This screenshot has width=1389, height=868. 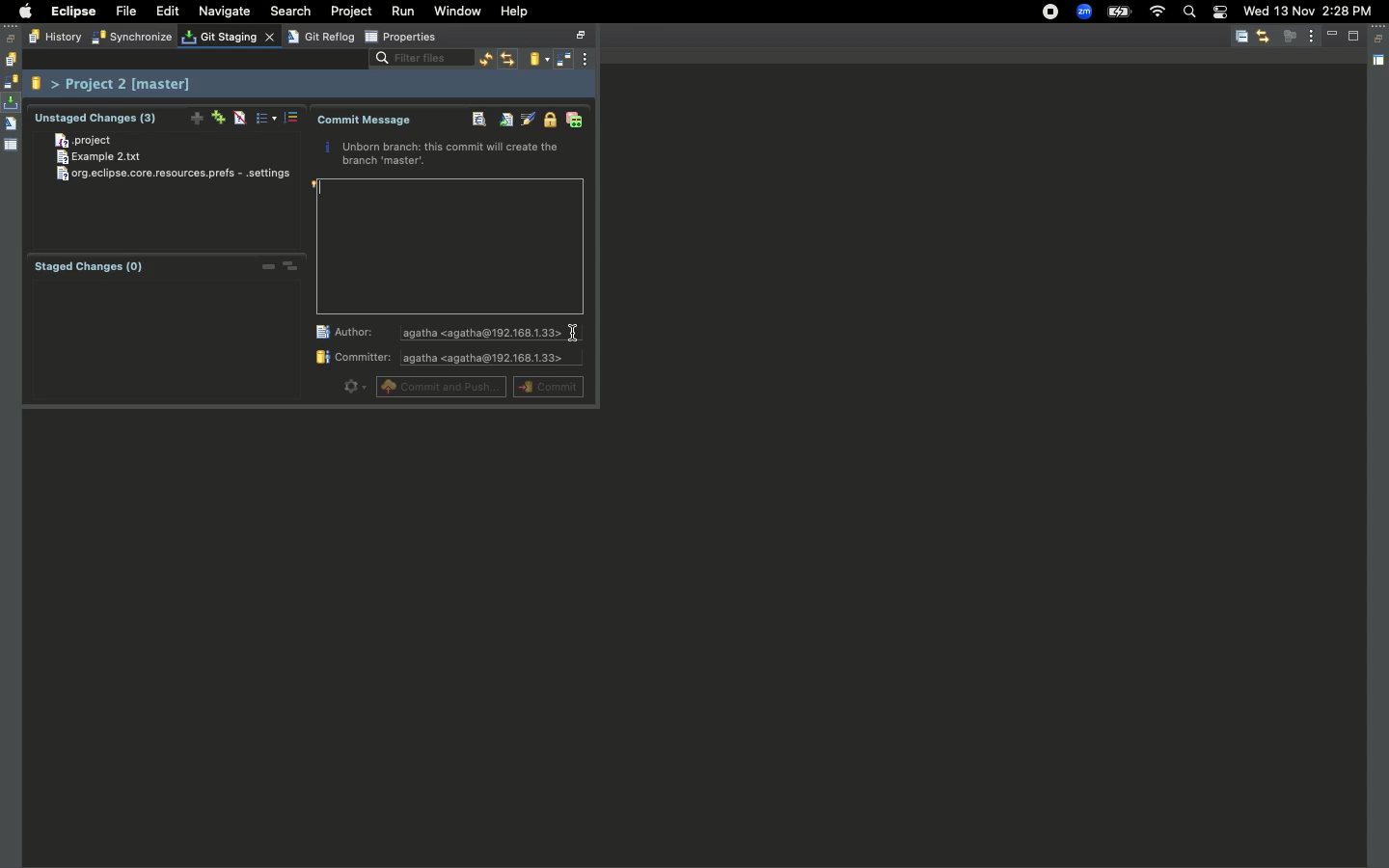 What do you see at coordinates (565, 61) in the screenshot?
I see `Compare mode` at bounding box center [565, 61].